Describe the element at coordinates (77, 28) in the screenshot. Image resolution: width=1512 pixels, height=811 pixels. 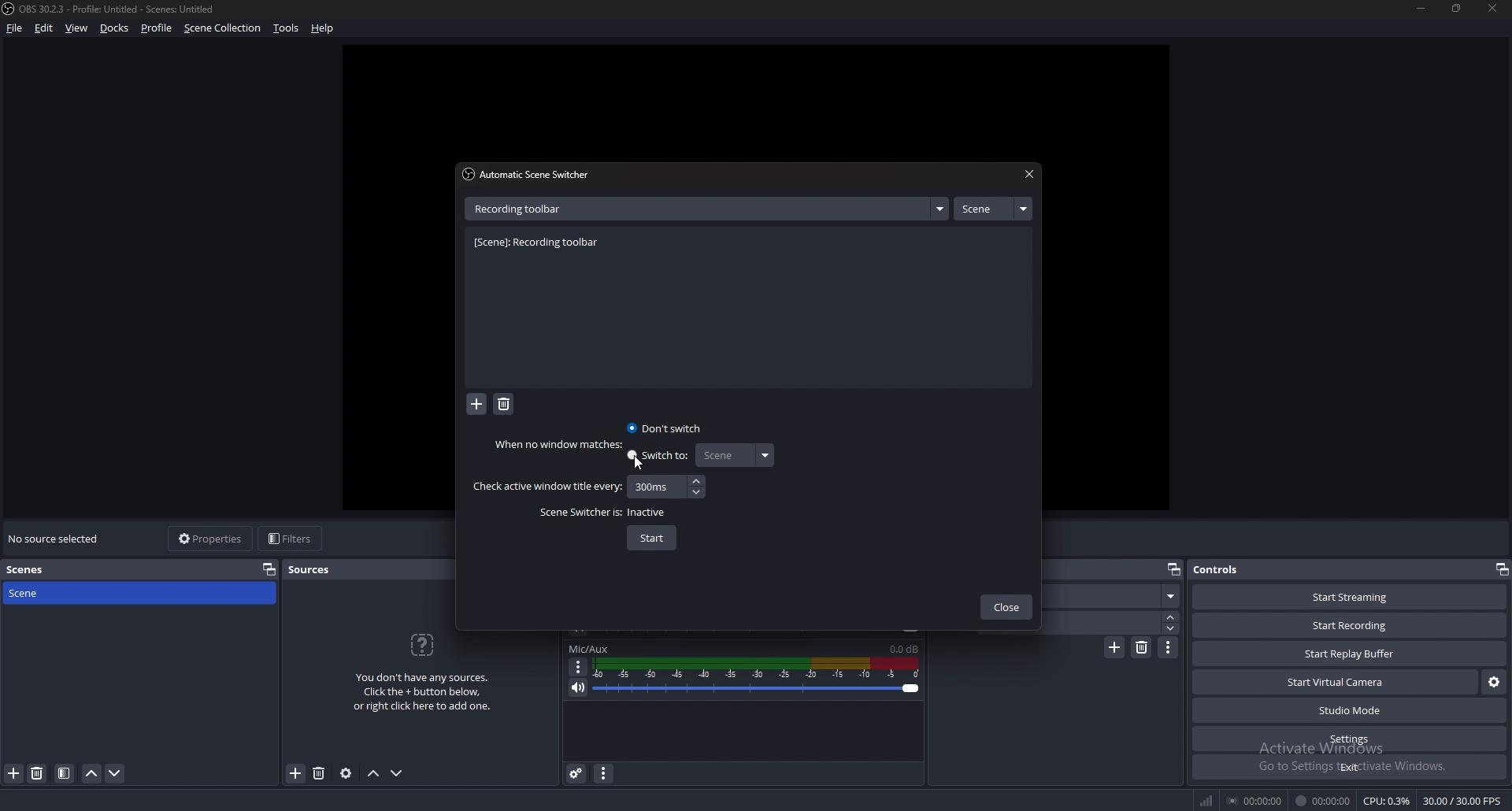
I see `view` at that location.